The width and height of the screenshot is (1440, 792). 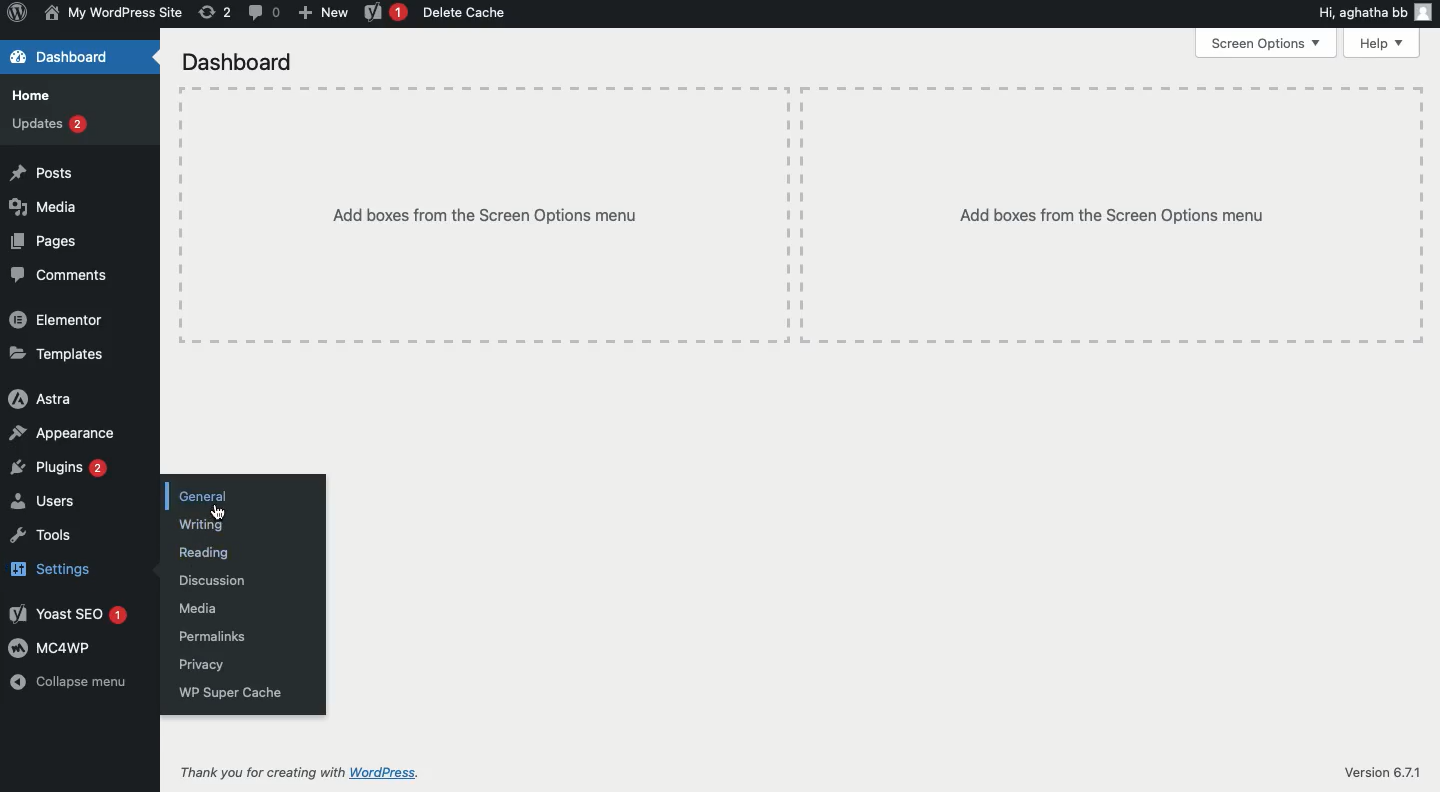 I want to click on Reading, so click(x=206, y=552).